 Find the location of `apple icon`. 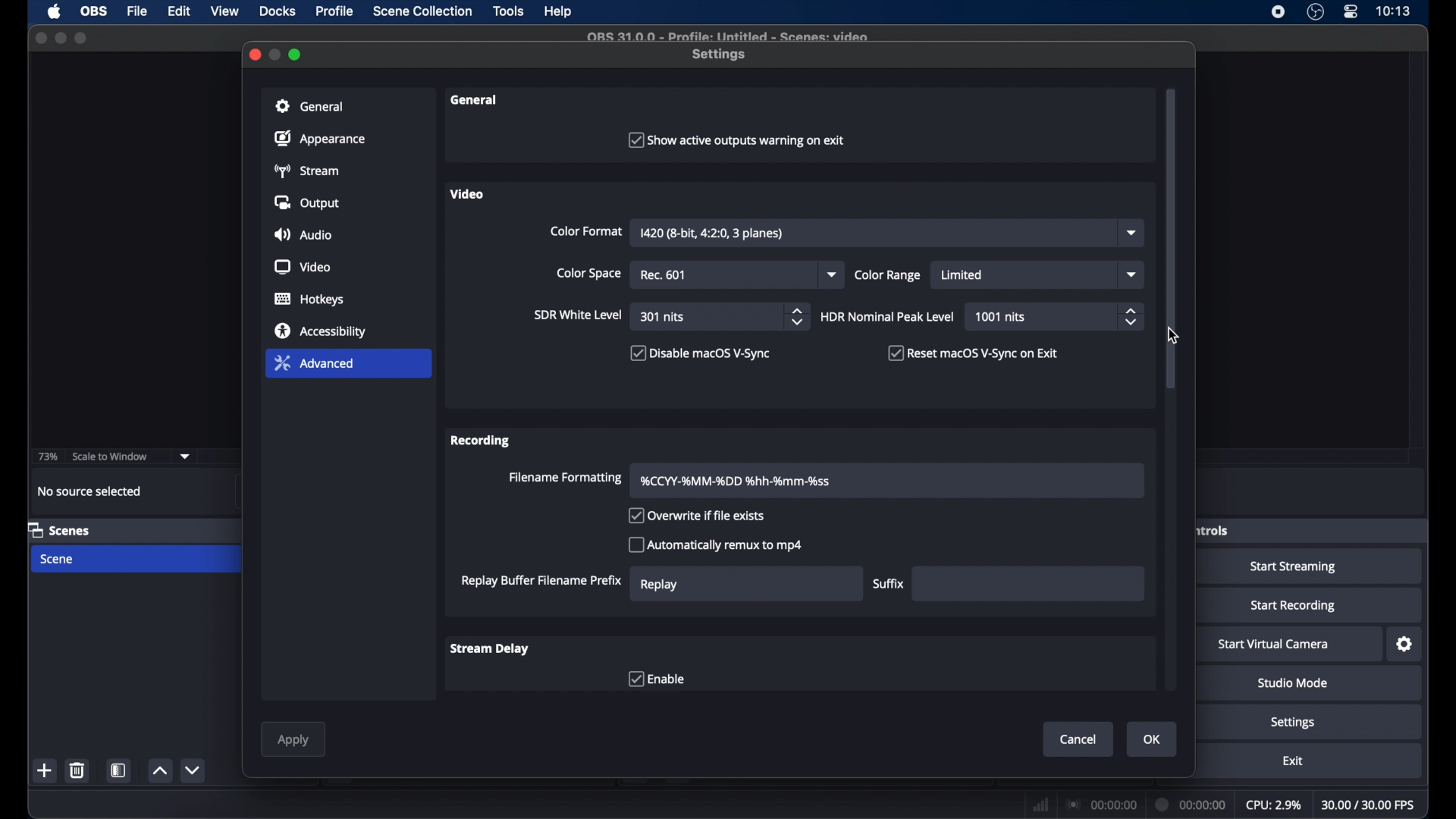

apple icon is located at coordinates (55, 12).